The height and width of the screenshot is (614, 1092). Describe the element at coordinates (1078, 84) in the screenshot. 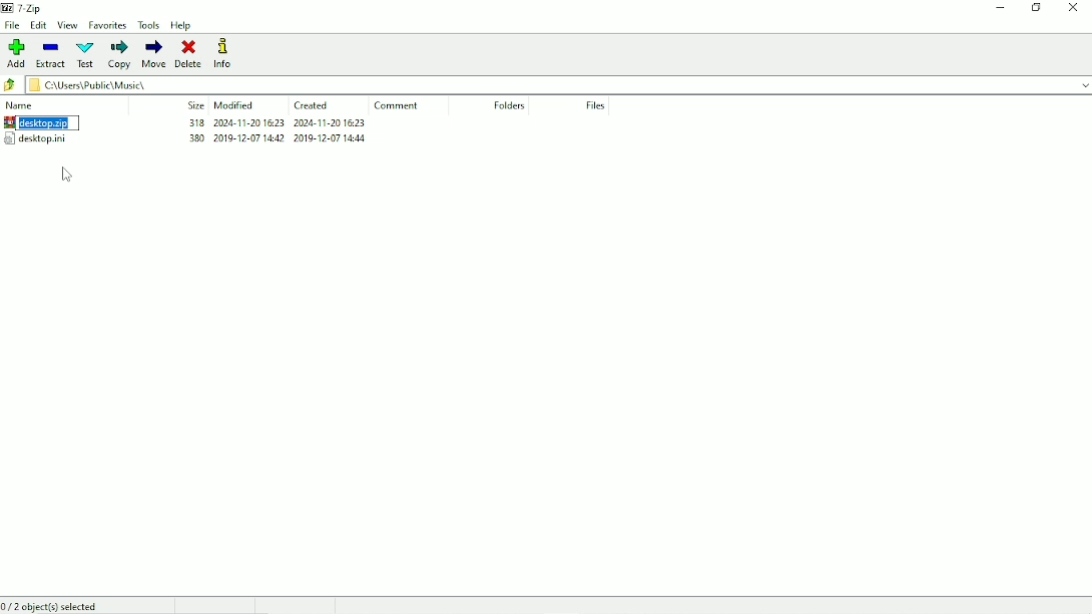

I see `drop down` at that location.